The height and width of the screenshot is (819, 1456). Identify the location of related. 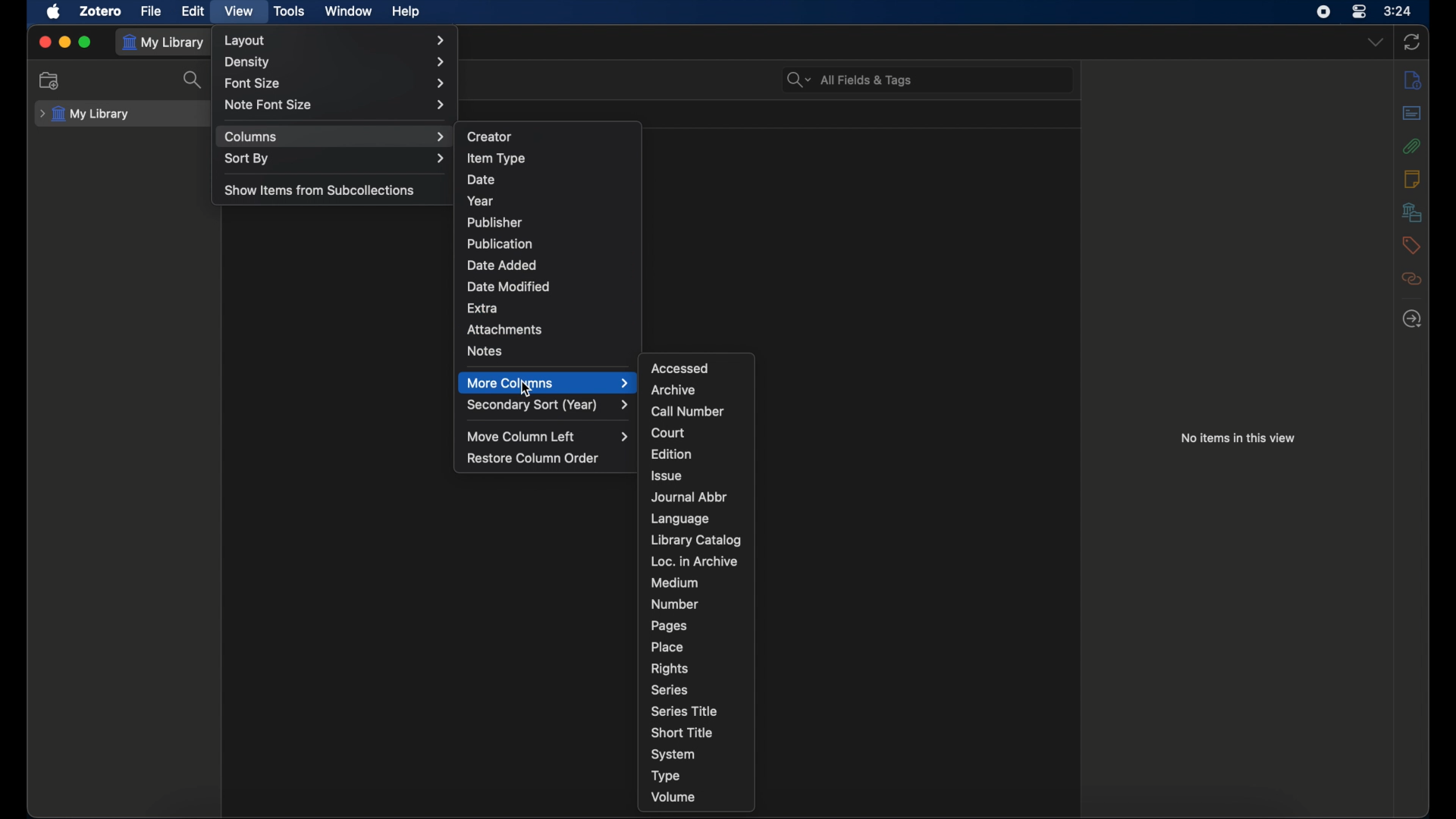
(1412, 279).